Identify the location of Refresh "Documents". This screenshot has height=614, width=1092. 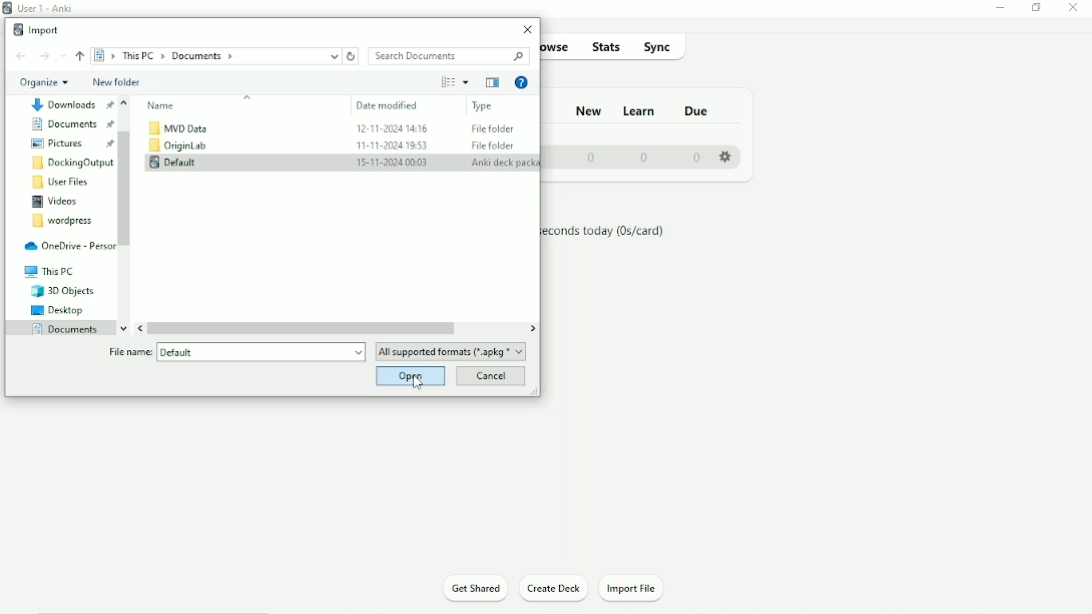
(353, 52).